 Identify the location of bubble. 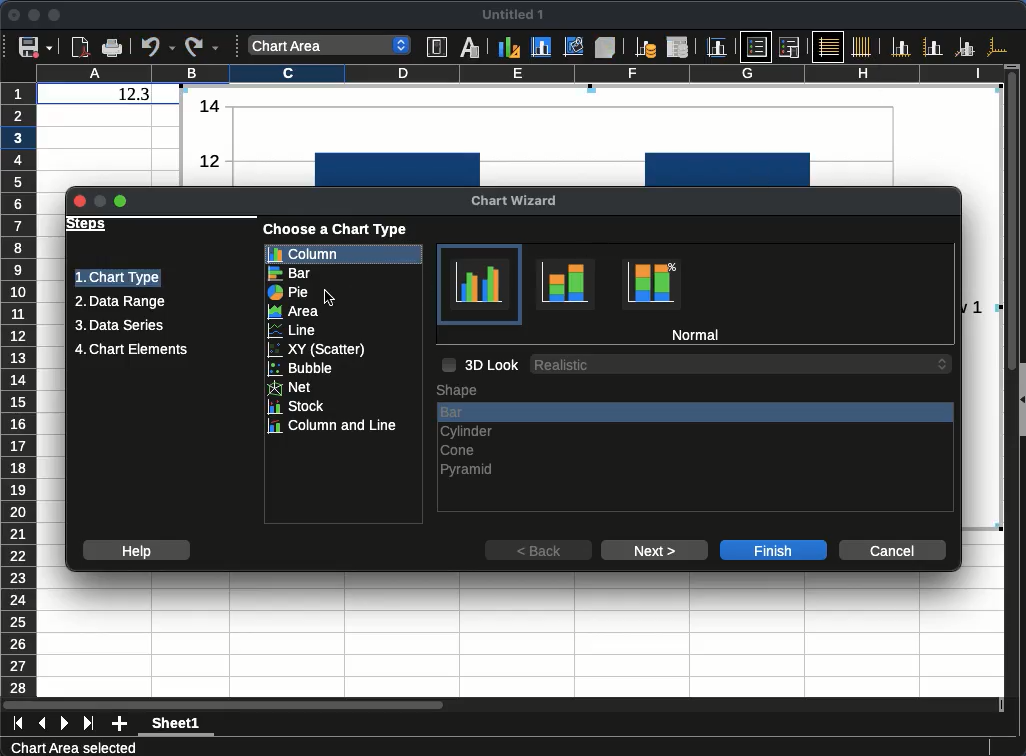
(344, 369).